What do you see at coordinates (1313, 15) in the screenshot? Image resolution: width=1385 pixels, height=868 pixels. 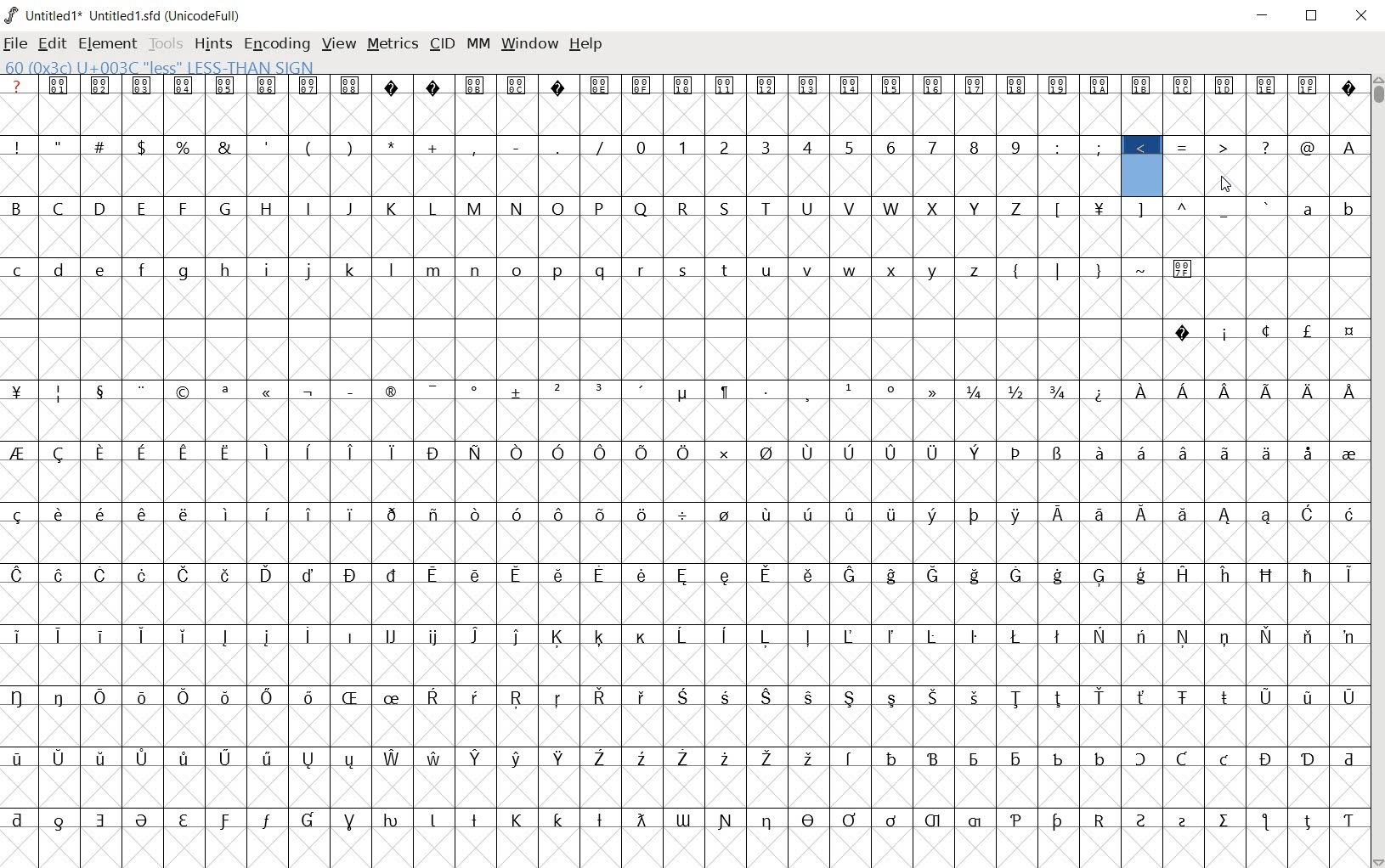 I see `restore down` at bounding box center [1313, 15].